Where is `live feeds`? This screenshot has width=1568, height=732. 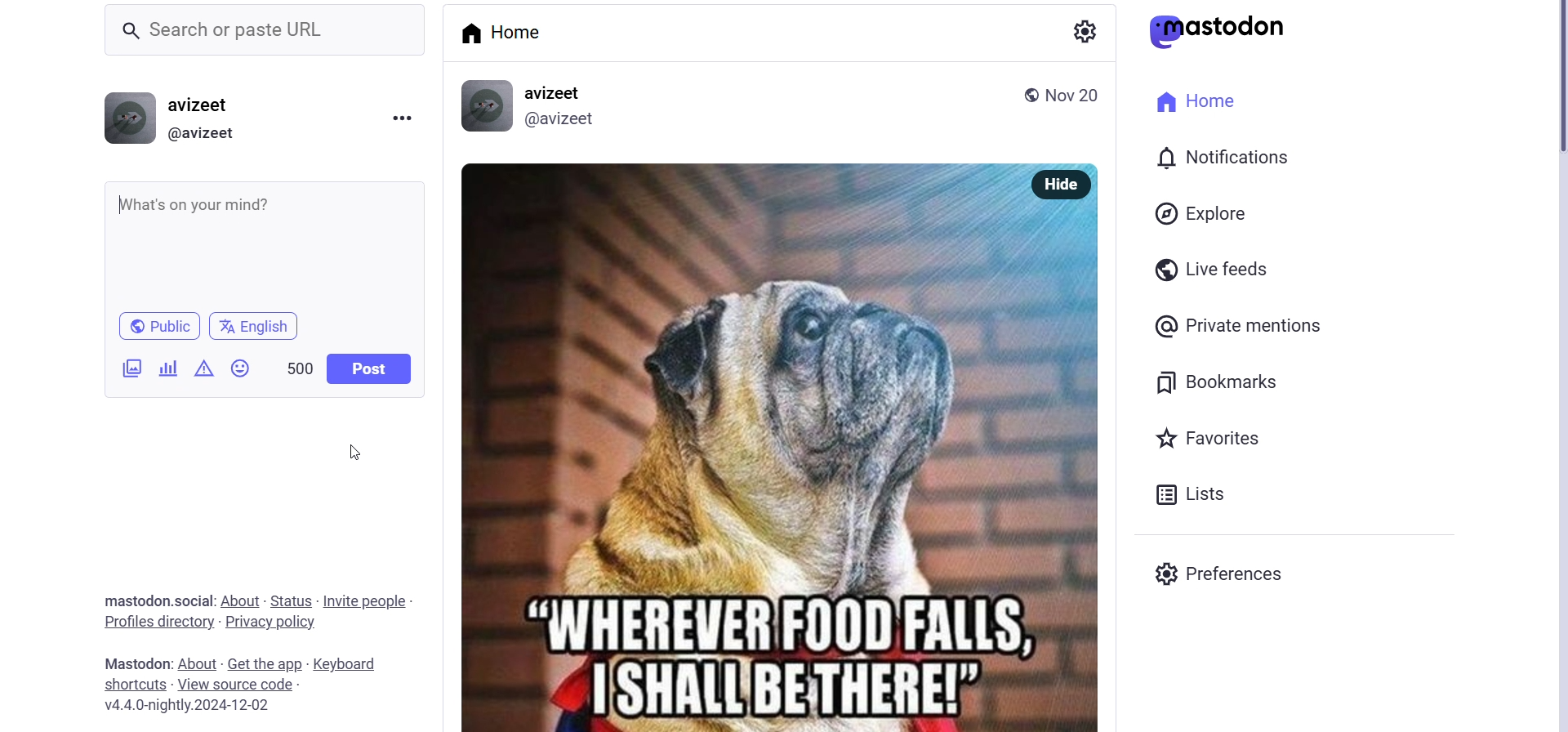 live feeds is located at coordinates (1225, 267).